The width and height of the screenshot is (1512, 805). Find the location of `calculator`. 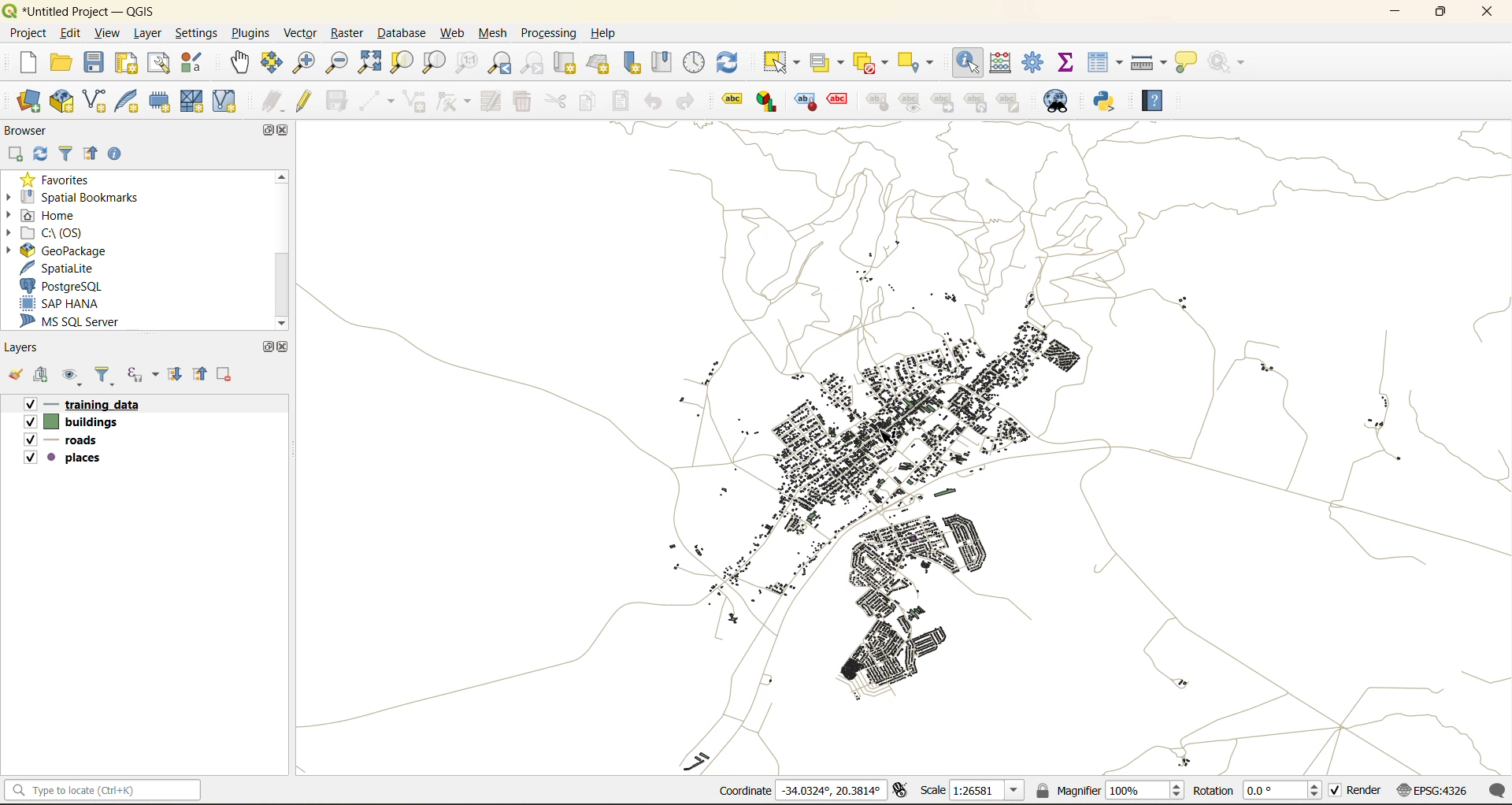

calculator is located at coordinates (999, 64).